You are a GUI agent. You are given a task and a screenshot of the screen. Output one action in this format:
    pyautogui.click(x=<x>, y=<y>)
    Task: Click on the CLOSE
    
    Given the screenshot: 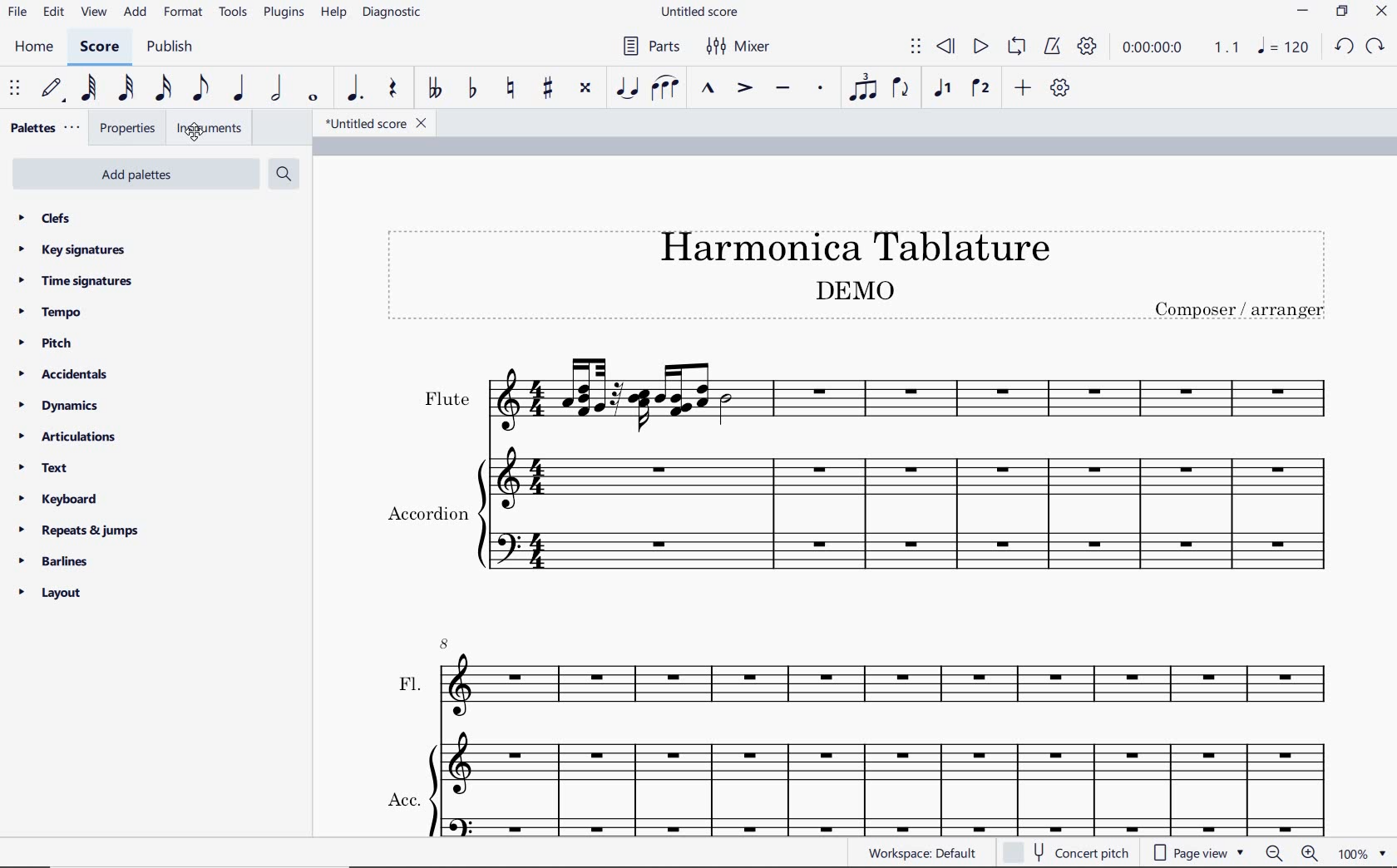 What is the action you would take?
    pyautogui.click(x=1380, y=11)
    